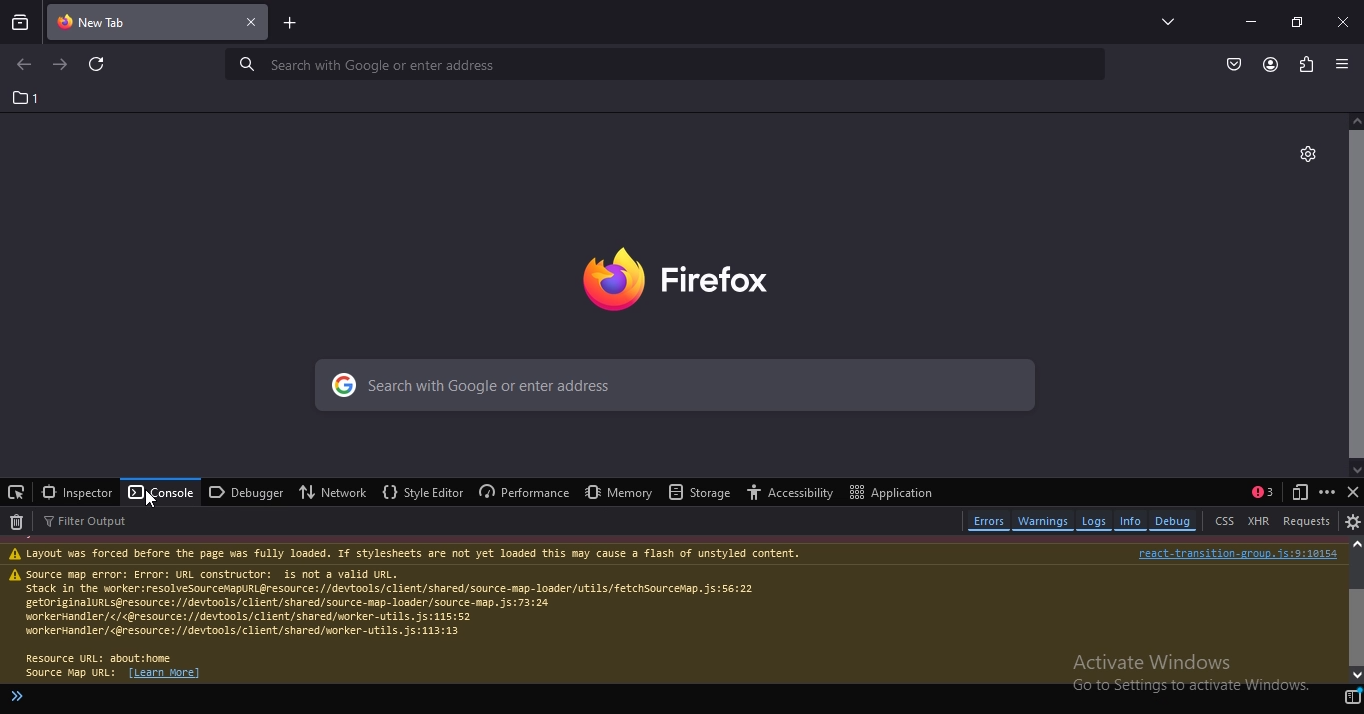  I want to click on storage, so click(701, 493).